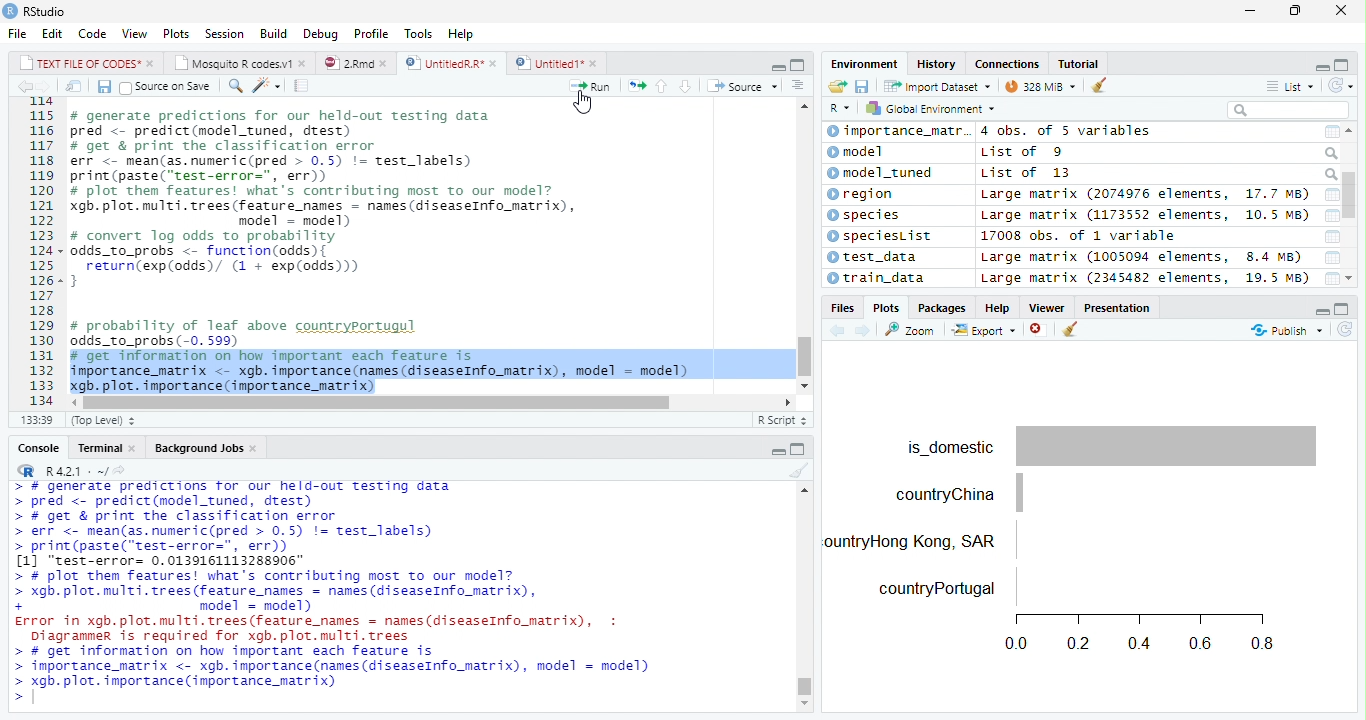  Describe the element at coordinates (233, 85) in the screenshot. I see `Find/Replace` at that location.